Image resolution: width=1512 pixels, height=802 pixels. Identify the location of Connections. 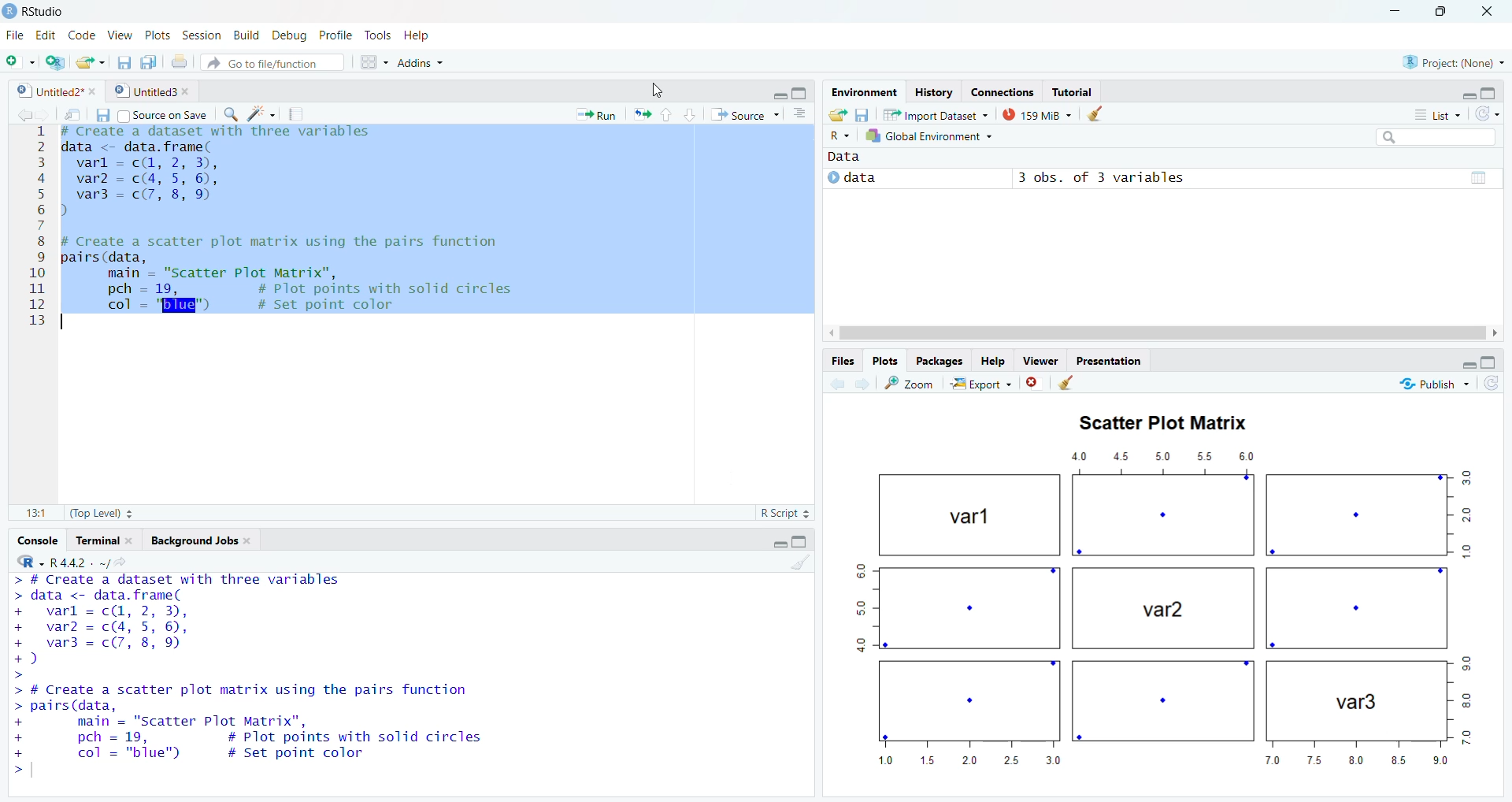
(999, 89).